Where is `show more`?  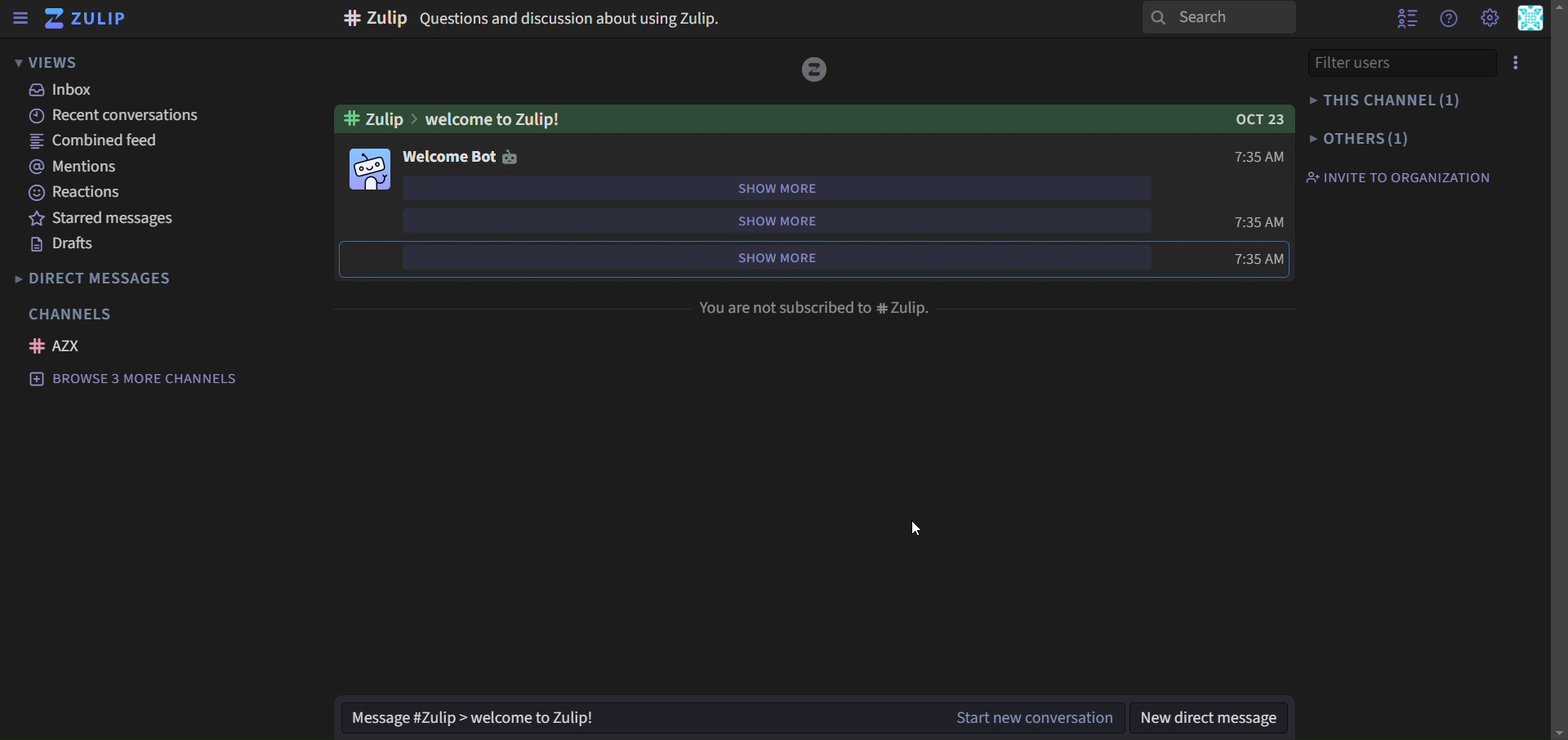
show more is located at coordinates (770, 188).